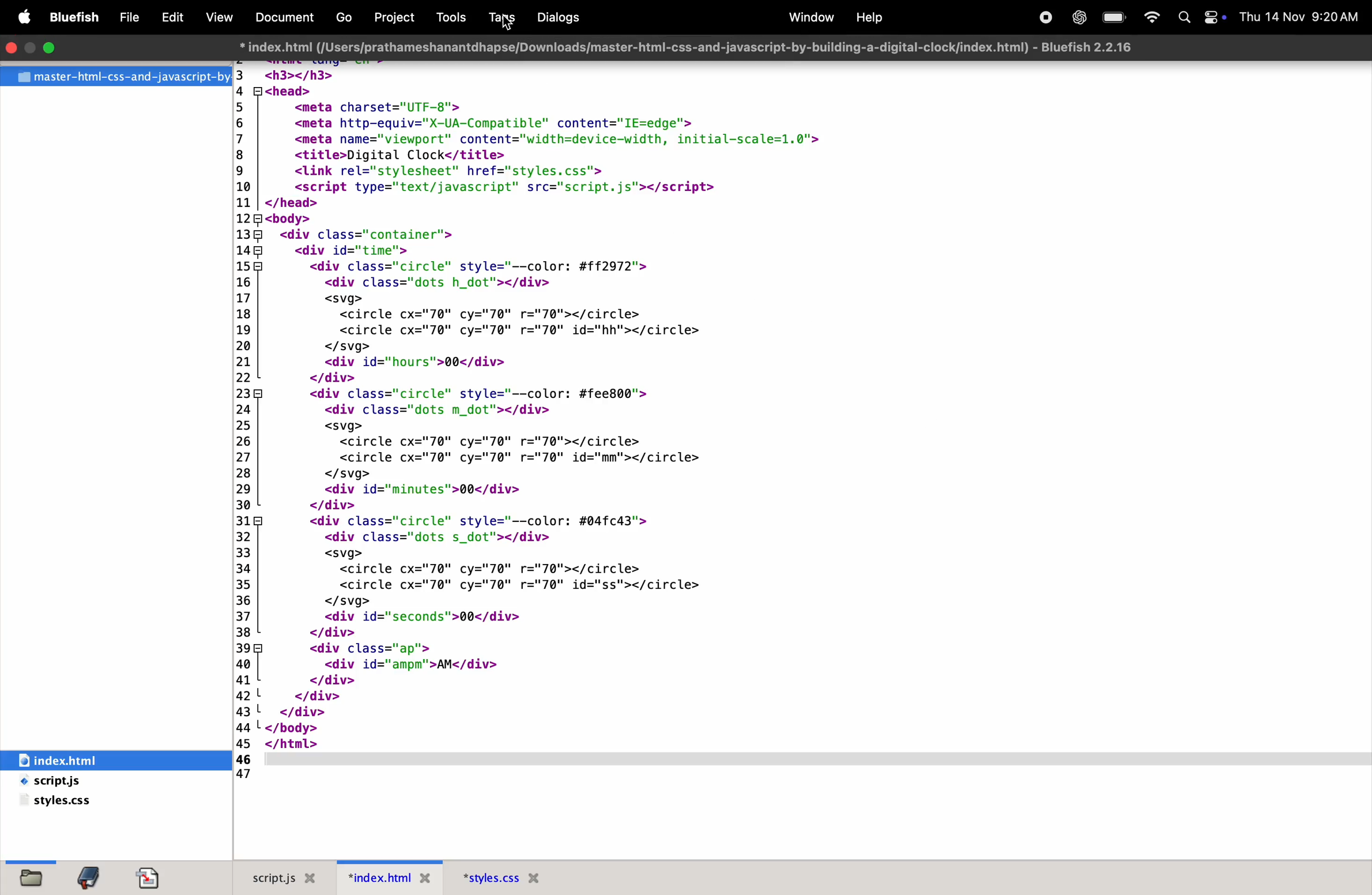 This screenshot has width=1372, height=895. Describe the element at coordinates (131, 18) in the screenshot. I see `File` at that location.